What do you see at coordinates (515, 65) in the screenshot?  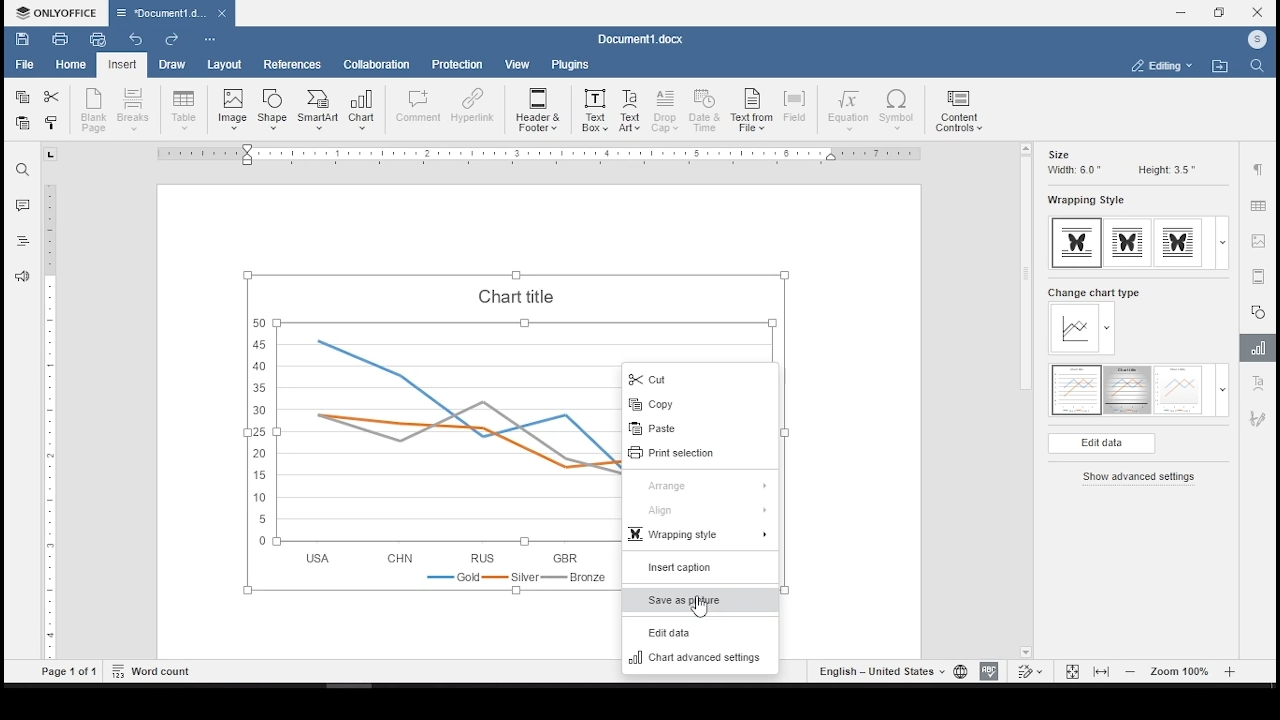 I see `view` at bounding box center [515, 65].